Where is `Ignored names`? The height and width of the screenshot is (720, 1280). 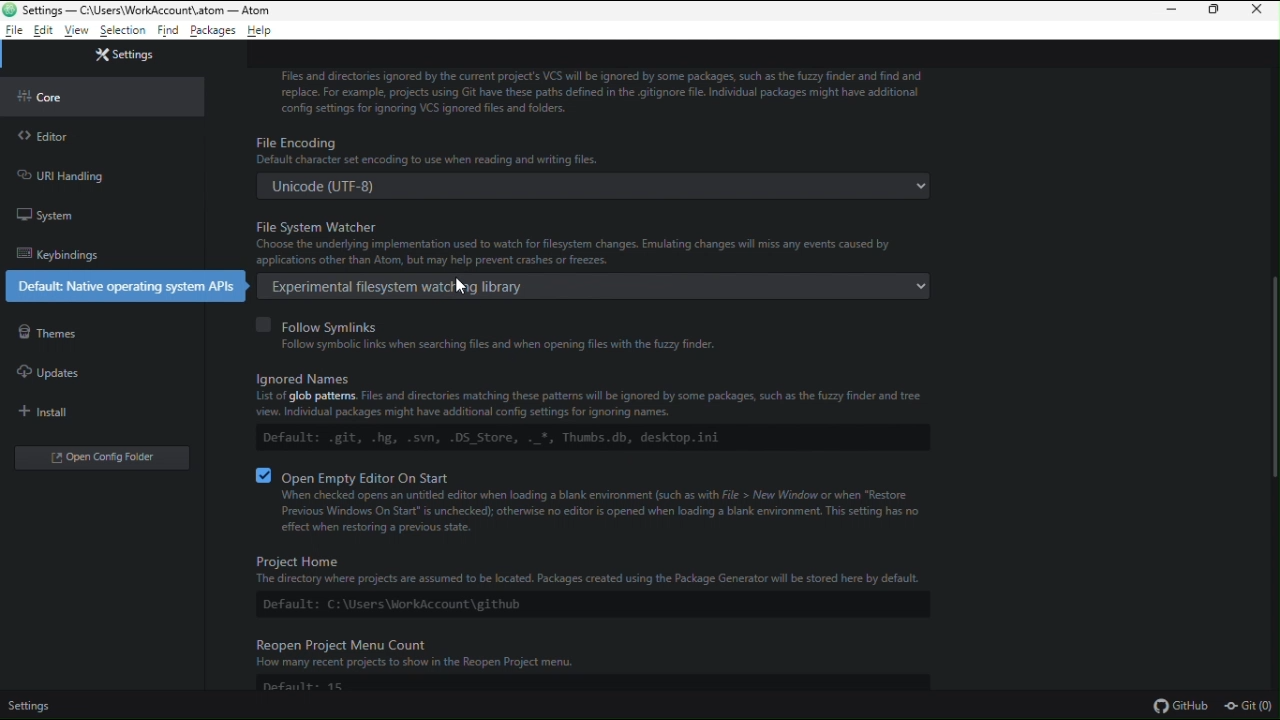 Ignored names is located at coordinates (594, 407).